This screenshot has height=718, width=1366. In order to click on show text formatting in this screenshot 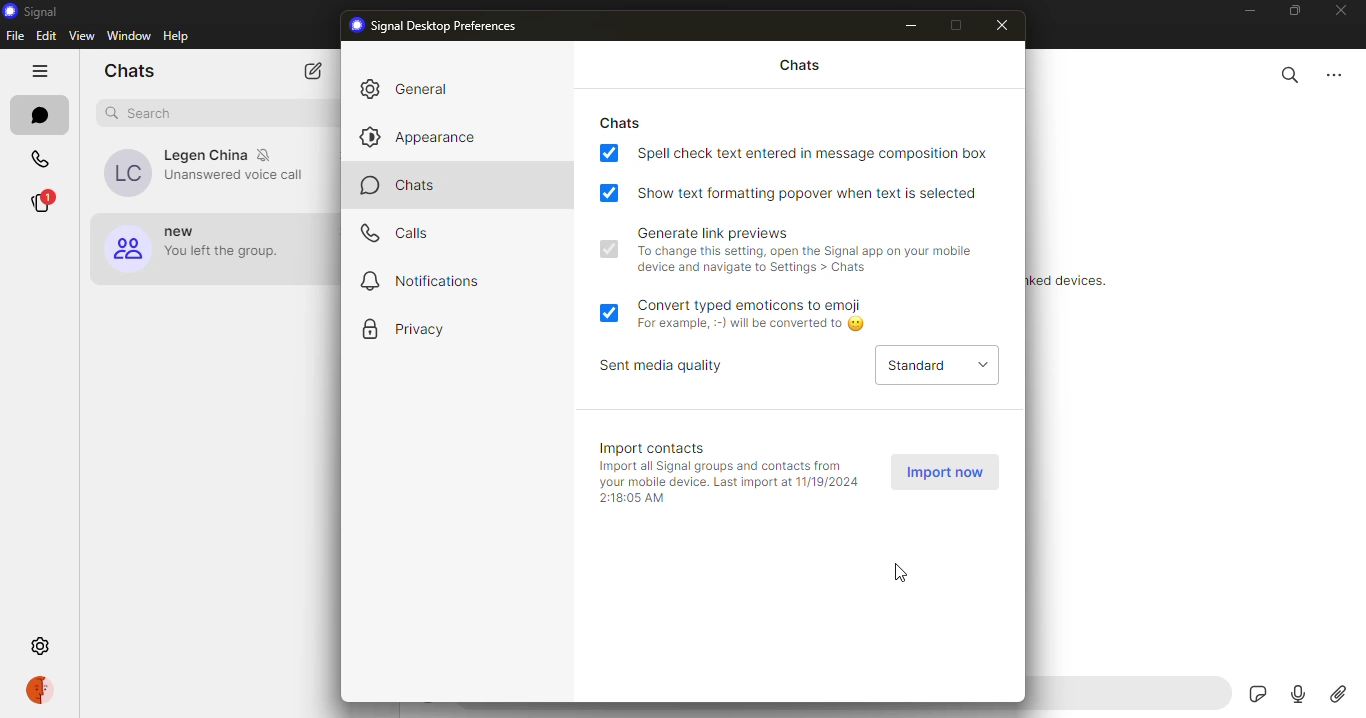, I will do `click(816, 193)`.